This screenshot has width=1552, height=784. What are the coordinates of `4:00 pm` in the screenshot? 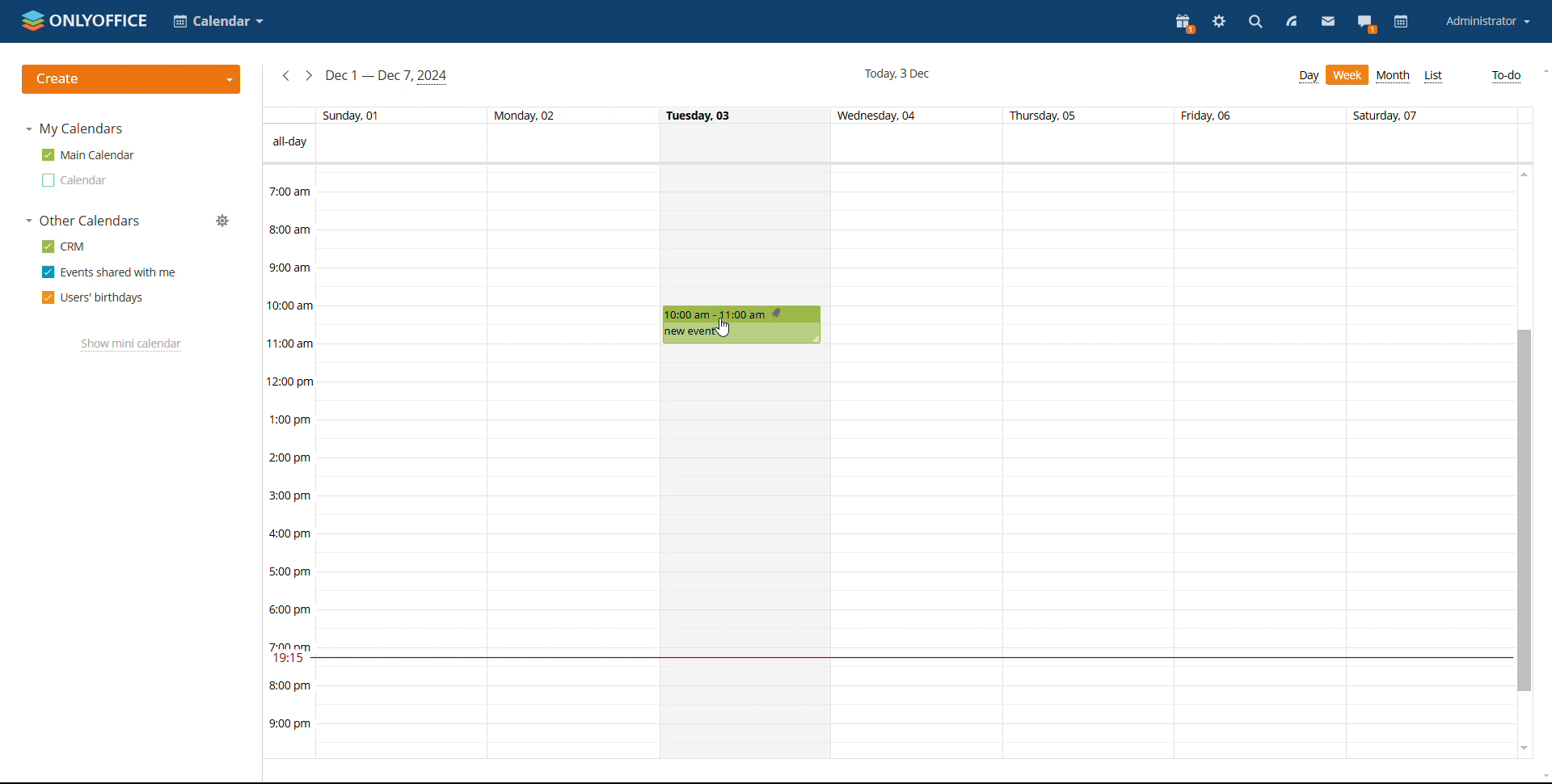 It's located at (293, 533).